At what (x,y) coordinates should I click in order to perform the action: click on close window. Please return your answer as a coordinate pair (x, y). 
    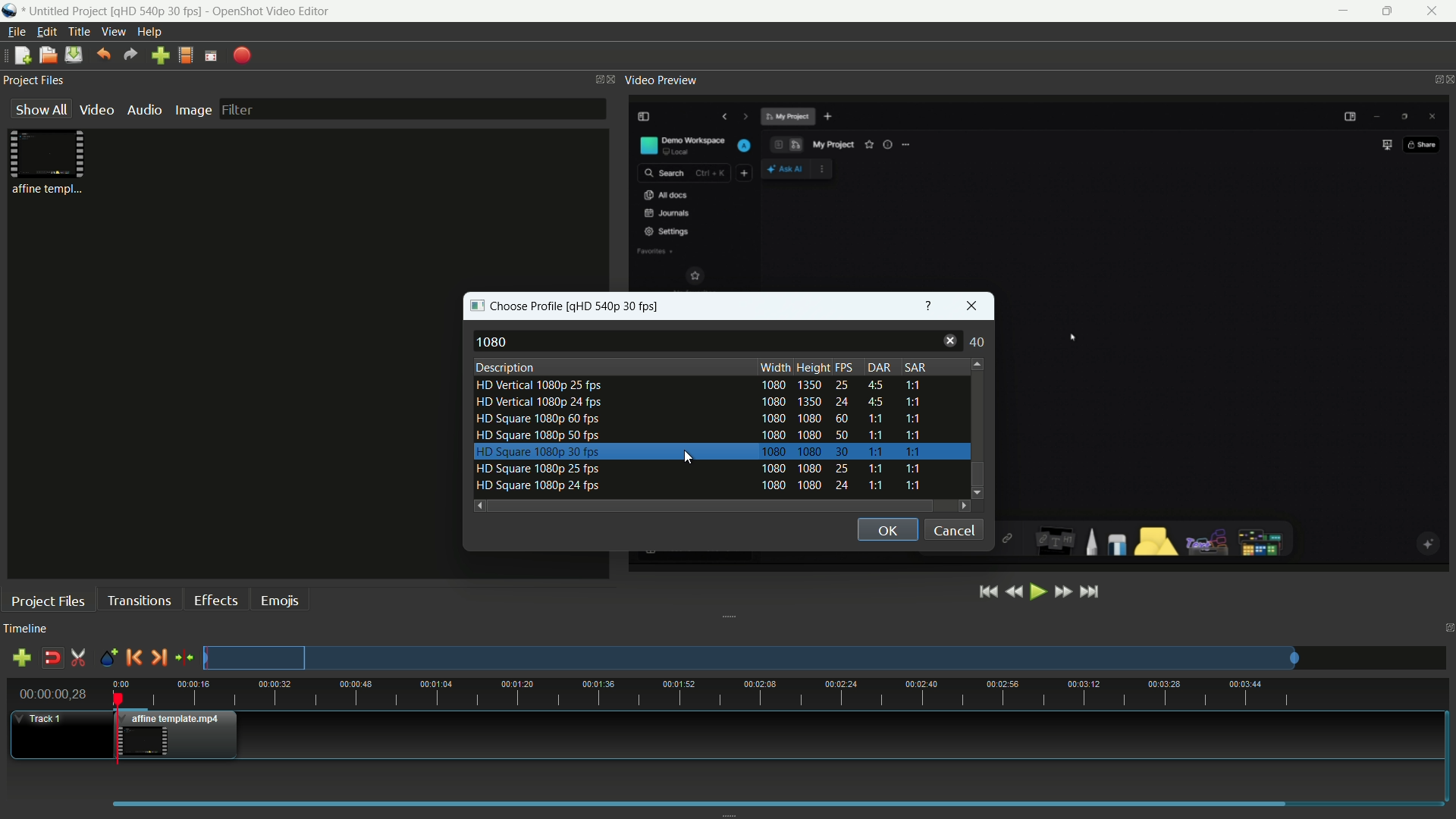
    Looking at the image, I should click on (972, 306).